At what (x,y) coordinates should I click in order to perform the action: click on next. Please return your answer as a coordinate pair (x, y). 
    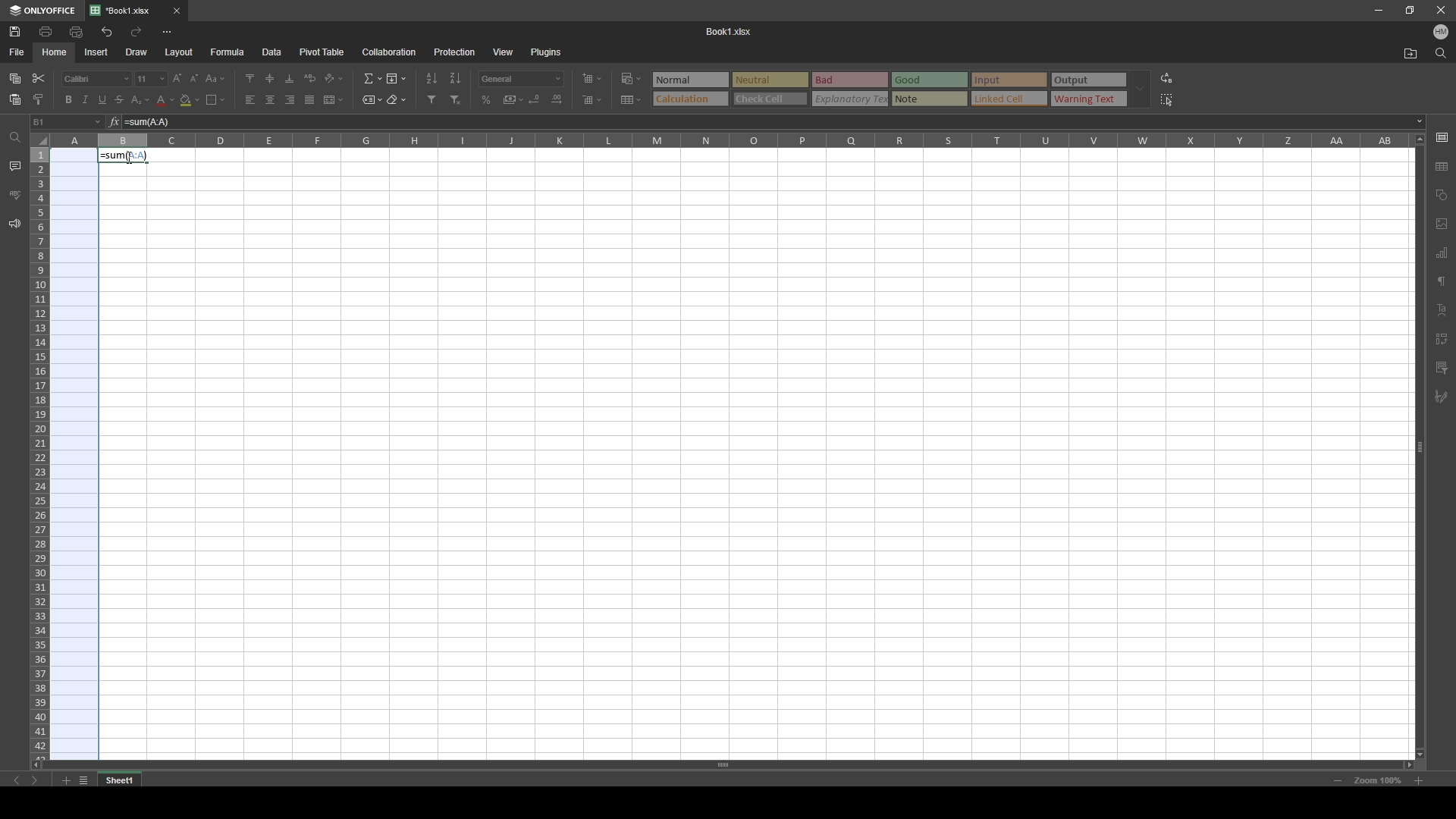
    Looking at the image, I should click on (34, 780).